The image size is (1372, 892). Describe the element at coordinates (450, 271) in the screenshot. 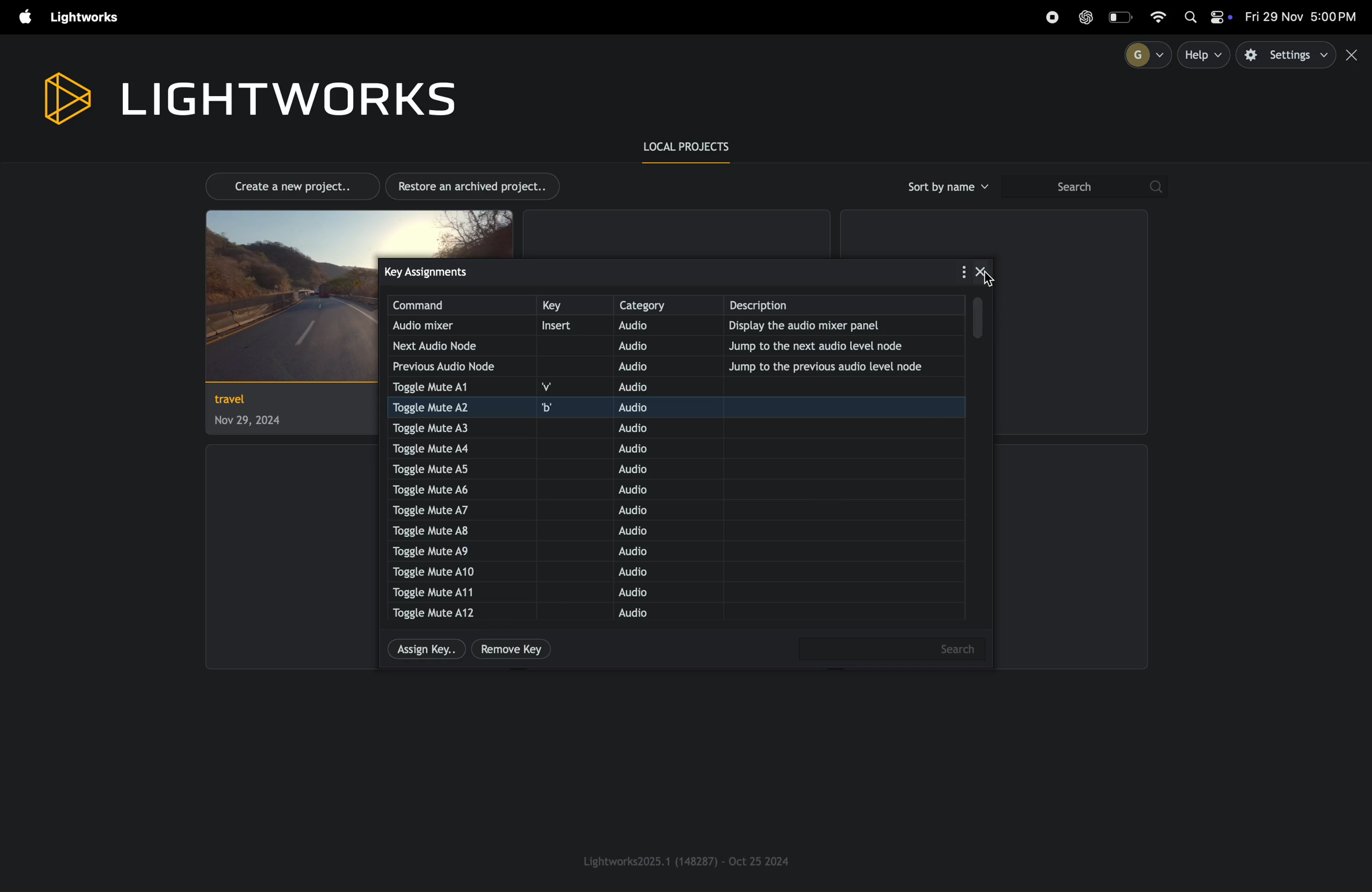

I see `key assignments` at that location.